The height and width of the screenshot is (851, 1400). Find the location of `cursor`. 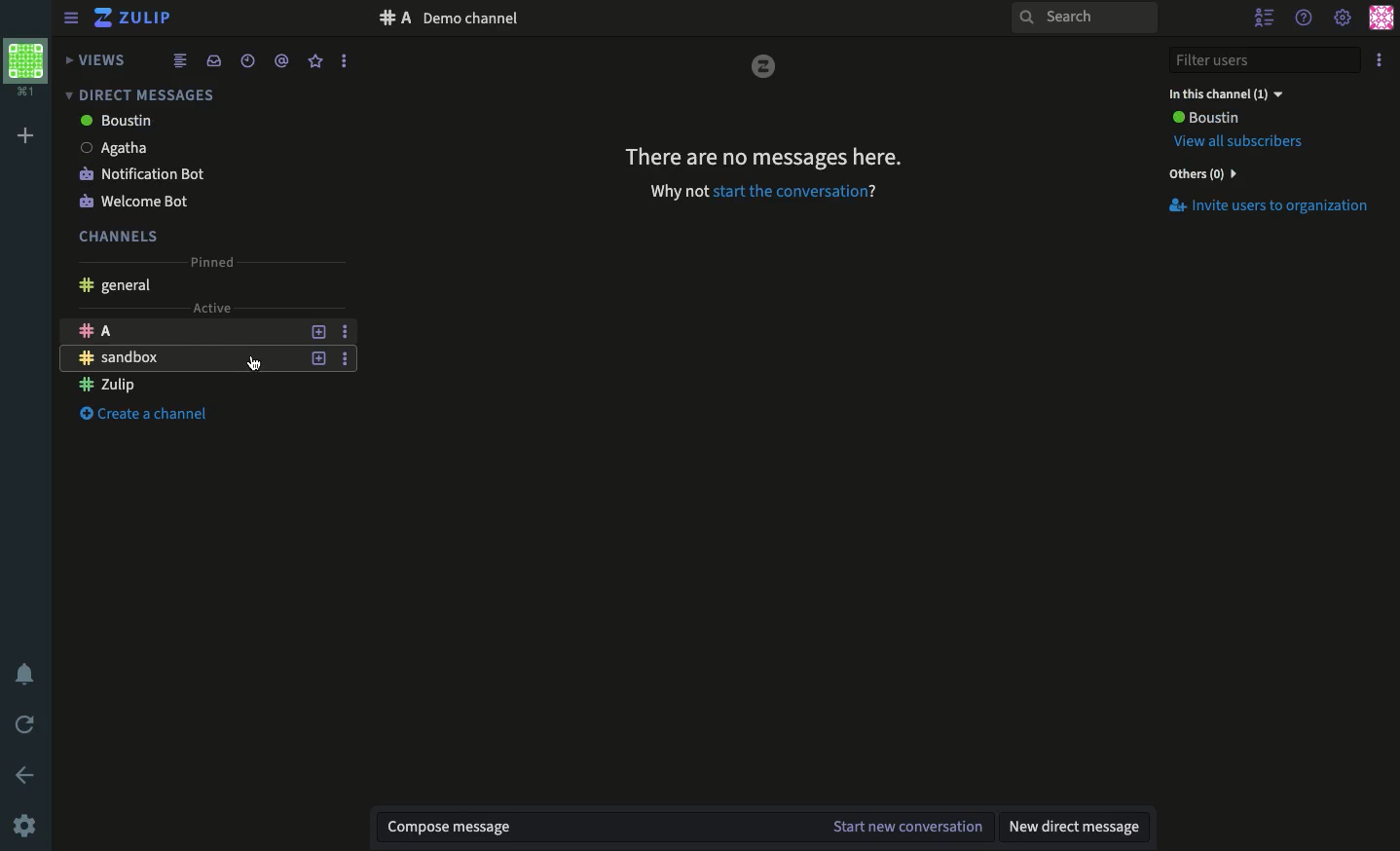

cursor is located at coordinates (256, 368).